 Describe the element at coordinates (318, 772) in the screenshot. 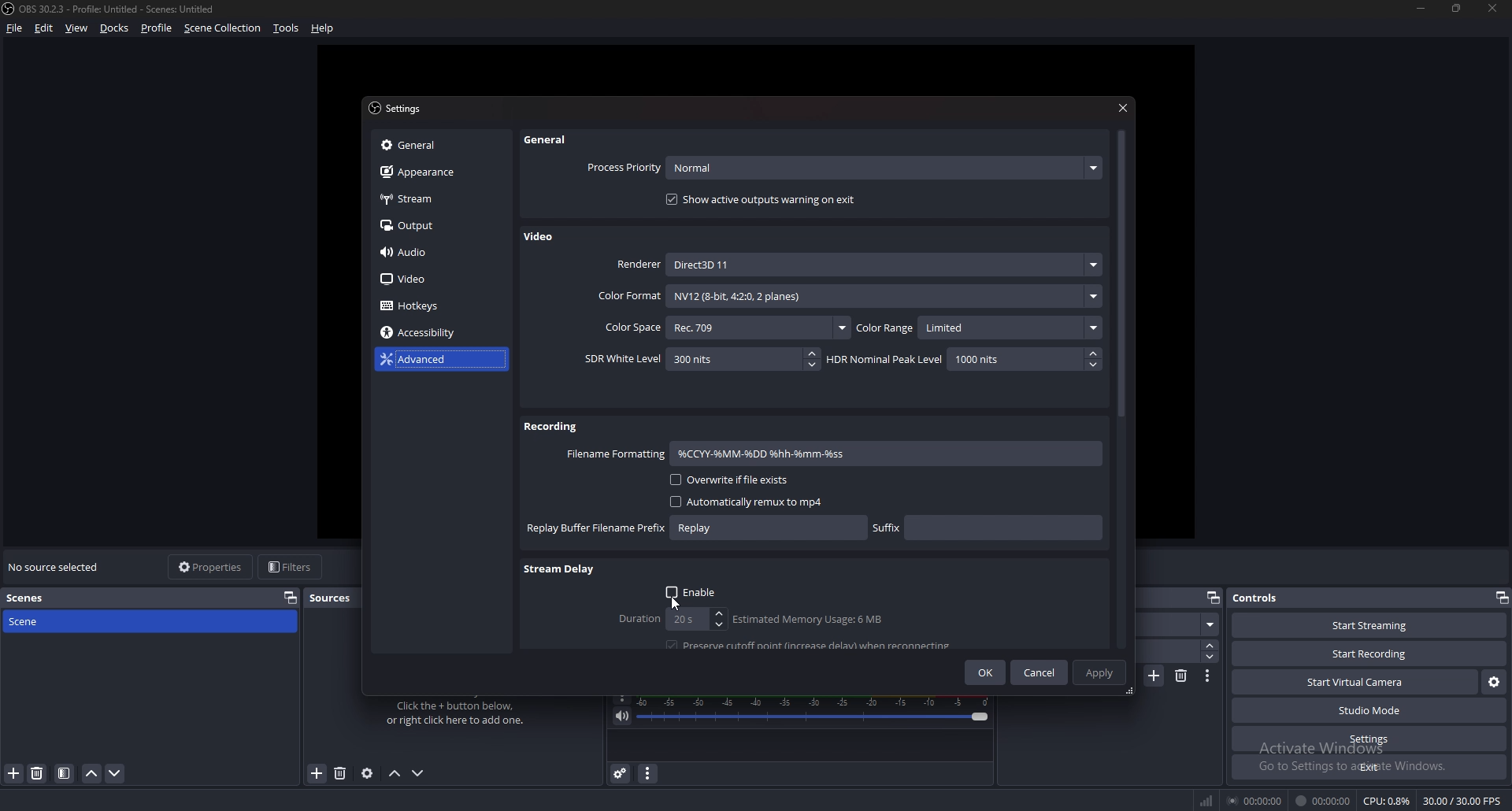

I see `add source` at that location.